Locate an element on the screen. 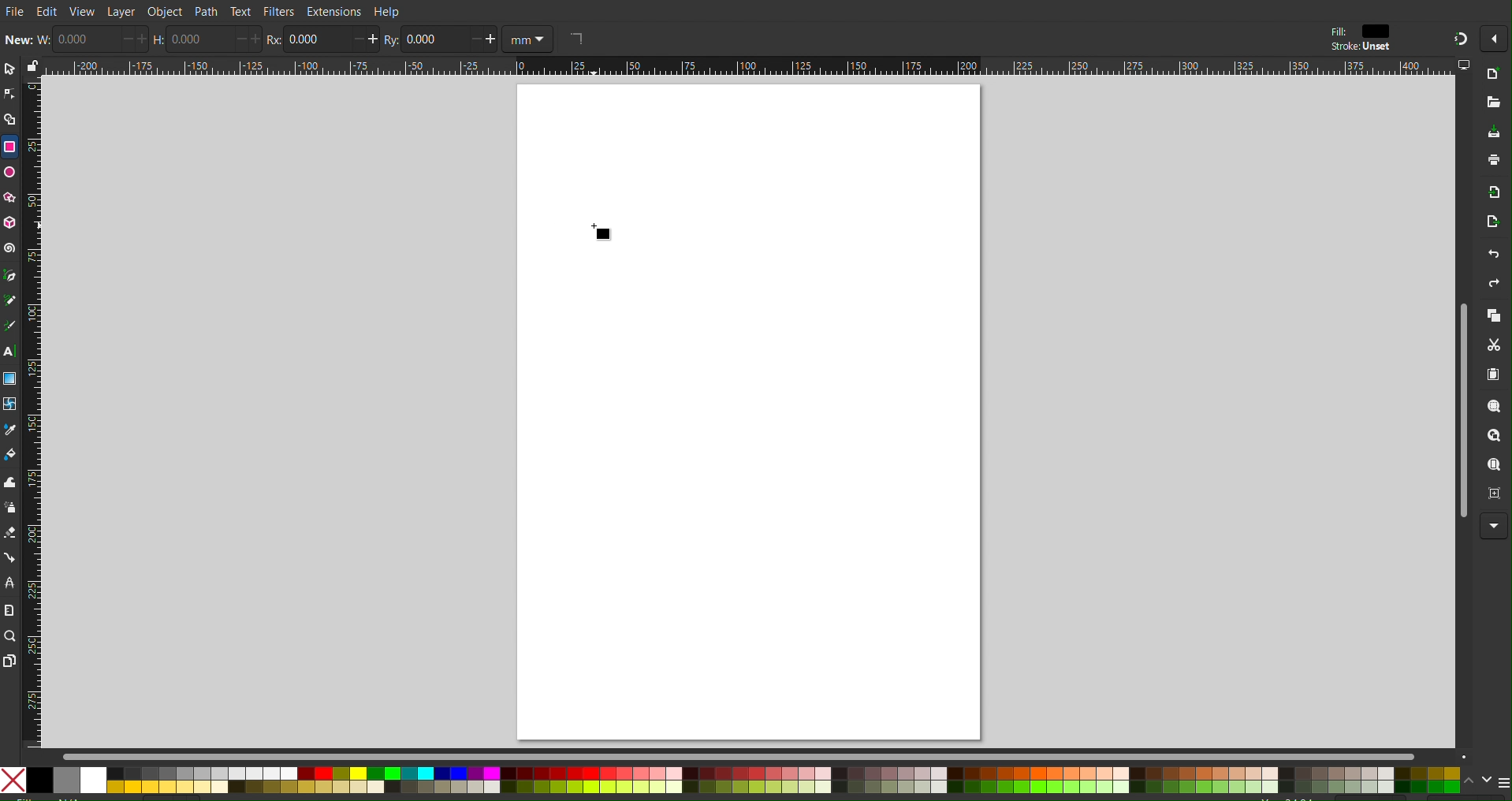  menu is located at coordinates (1503, 782).